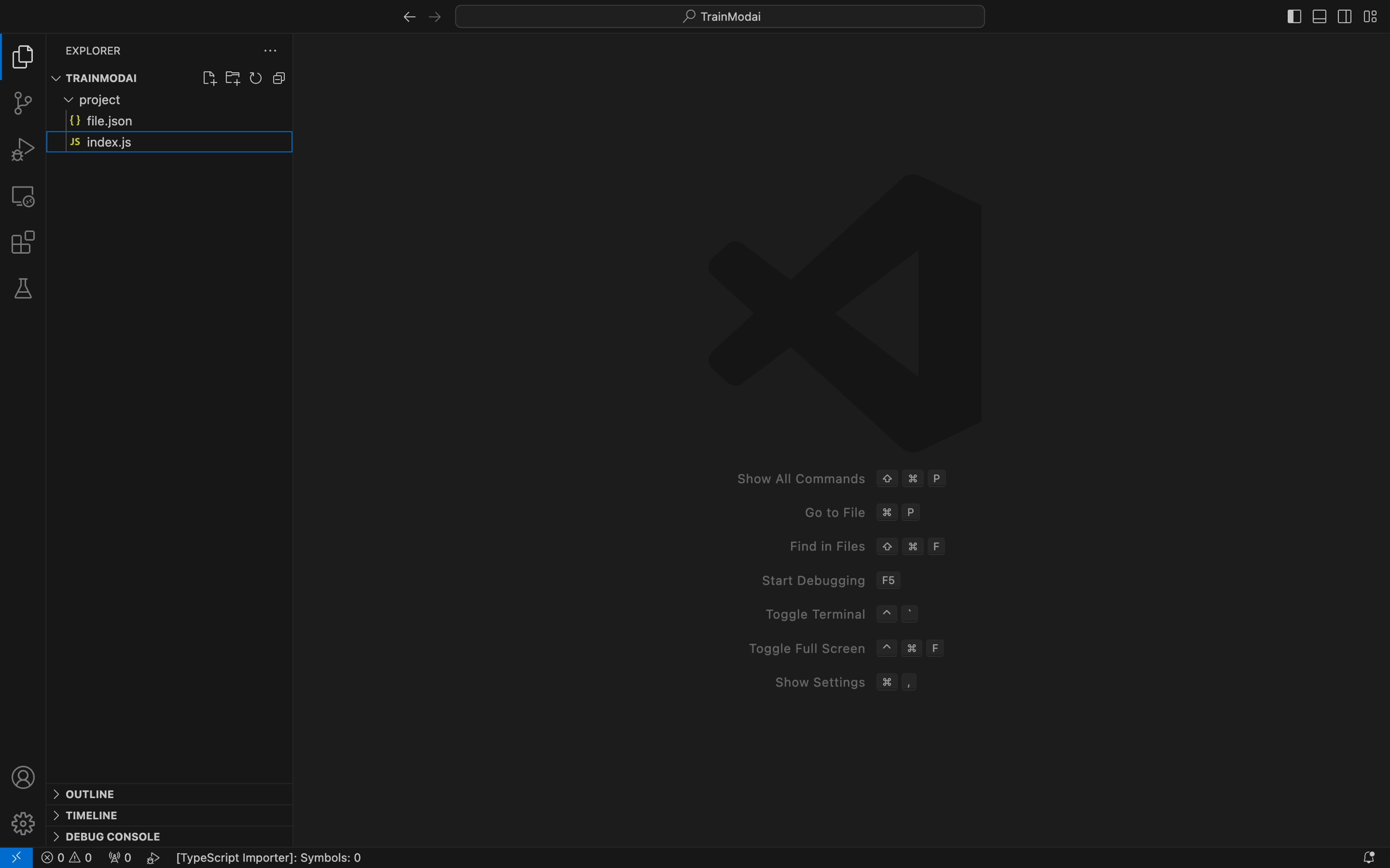  Describe the element at coordinates (23, 286) in the screenshot. I see `tests` at that location.